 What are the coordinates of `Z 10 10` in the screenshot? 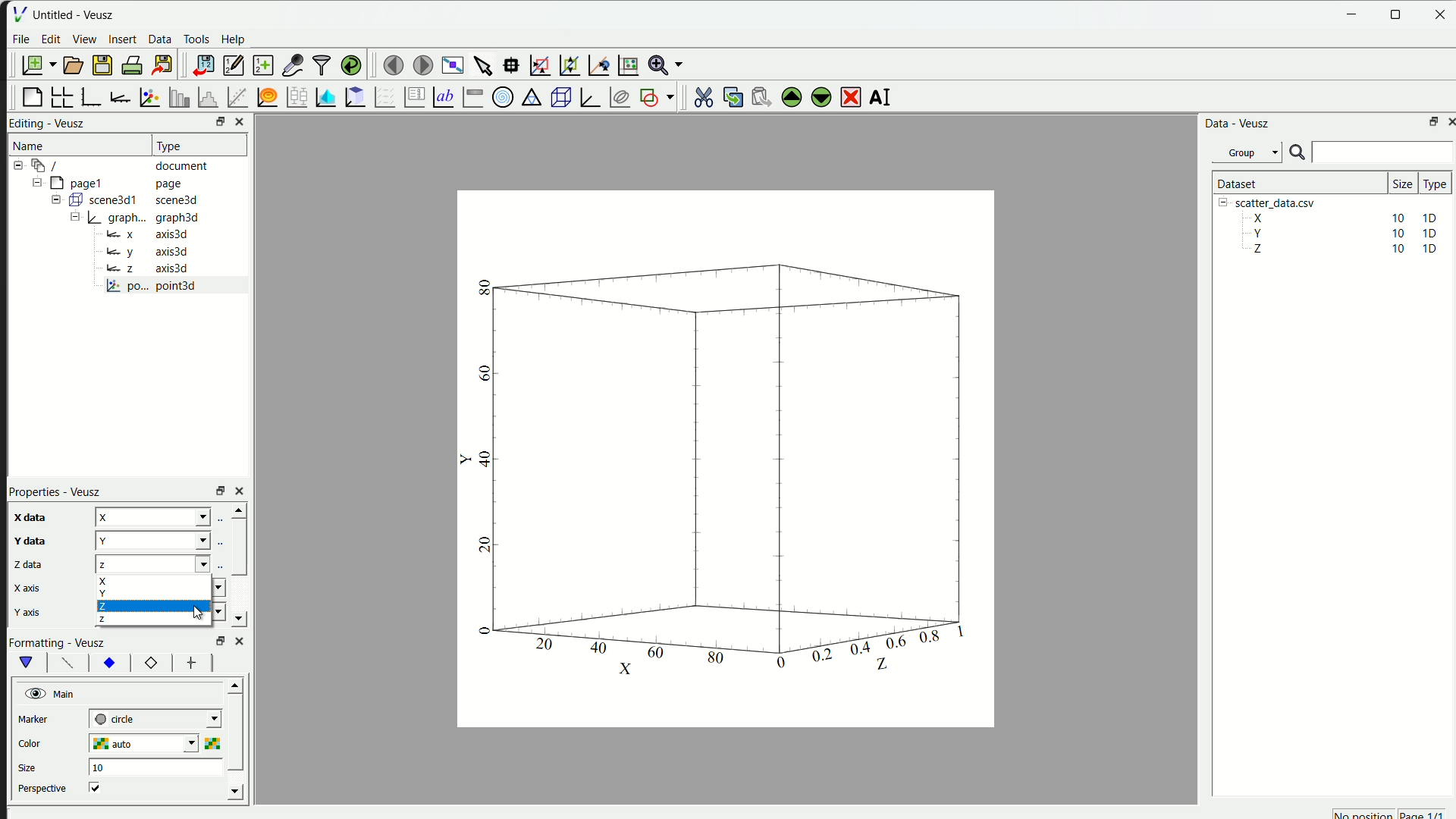 It's located at (1341, 250).